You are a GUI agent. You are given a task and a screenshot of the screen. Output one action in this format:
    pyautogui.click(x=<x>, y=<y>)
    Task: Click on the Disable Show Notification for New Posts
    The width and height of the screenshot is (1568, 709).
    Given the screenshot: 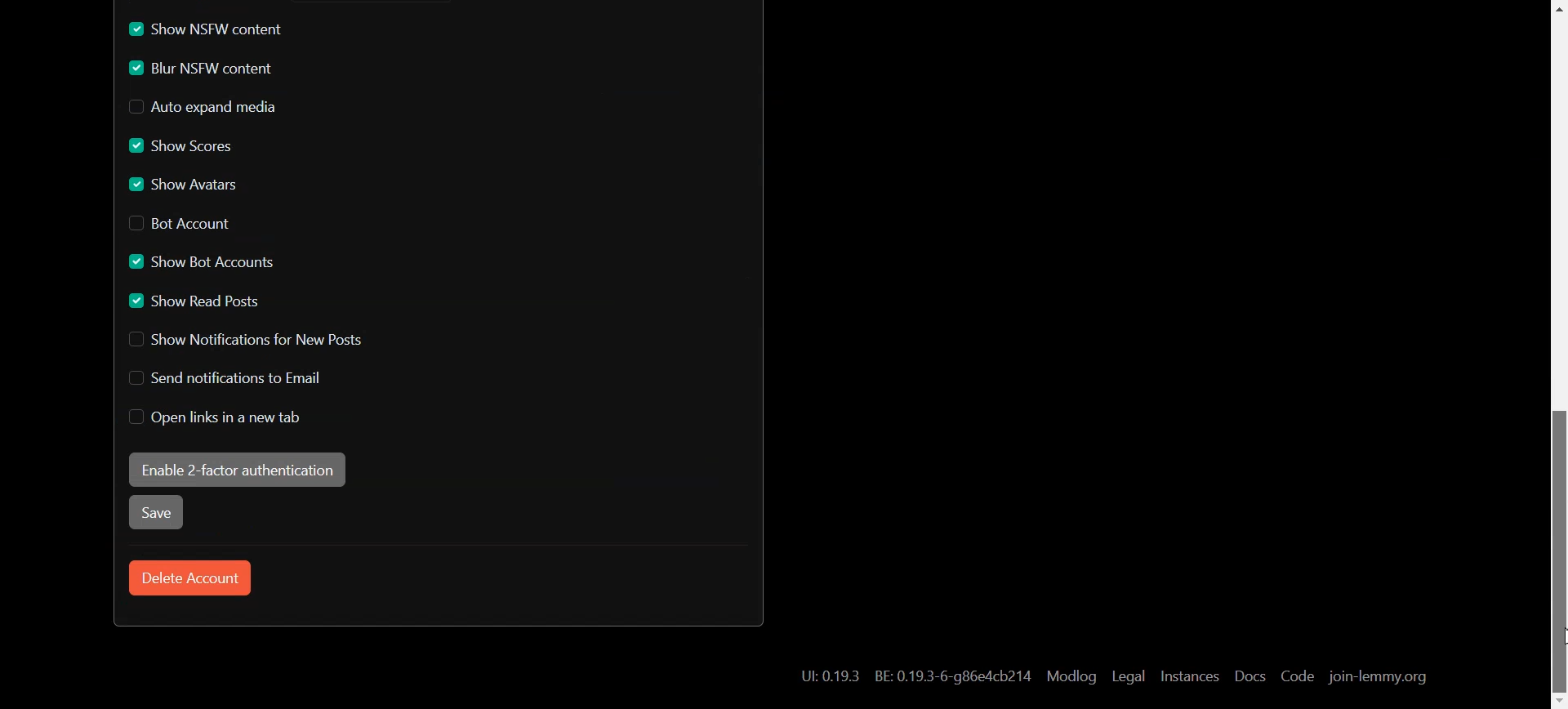 What is the action you would take?
    pyautogui.click(x=247, y=340)
    